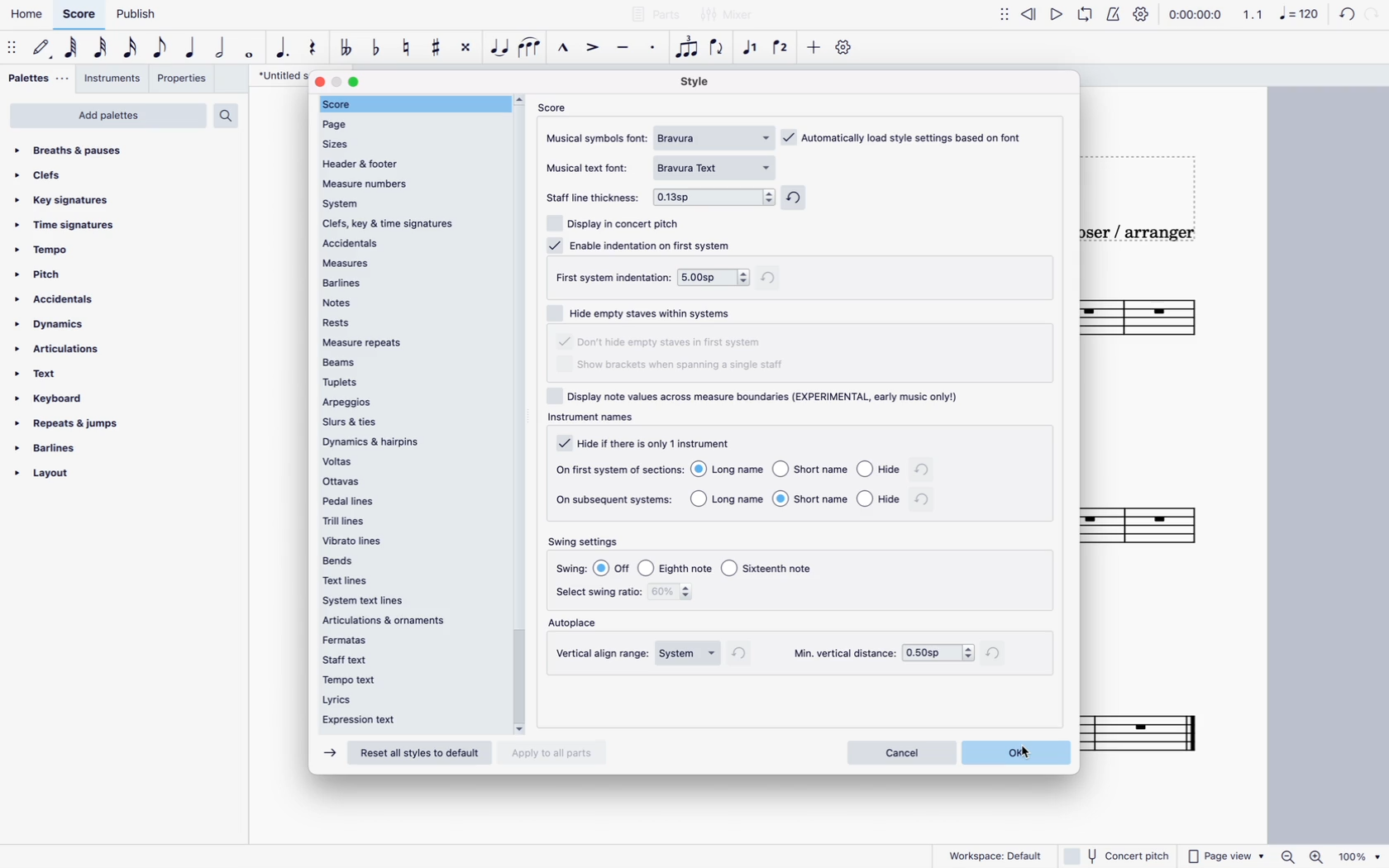 The width and height of the screenshot is (1389, 868). What do you see at coordinates (644, 443) in the screenshot?
I see `hide` at bounding box center [644, 443].